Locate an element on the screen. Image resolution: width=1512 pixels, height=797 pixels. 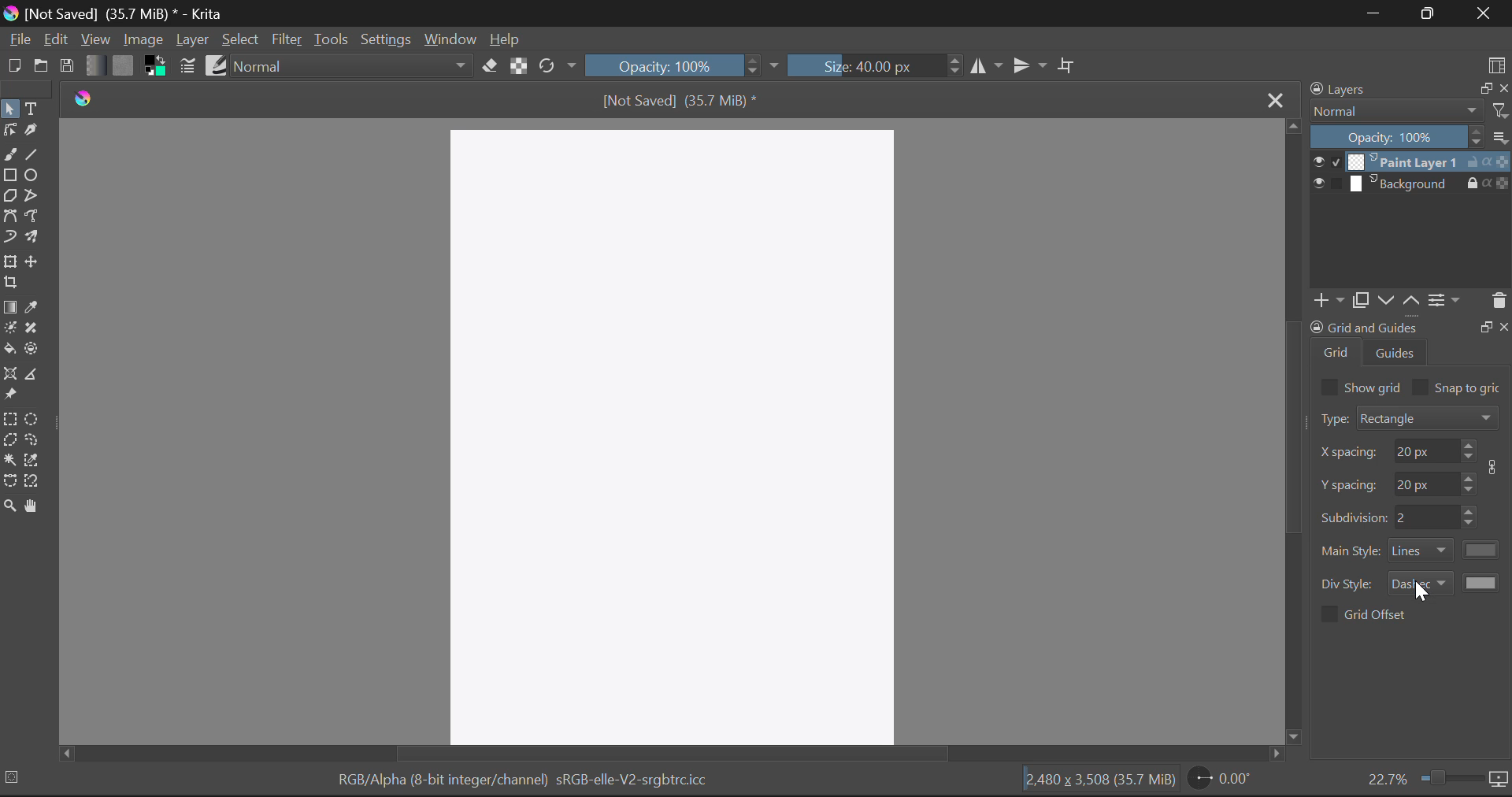
Horizontal Mirror Flip is located at coordinates (1033, 66).